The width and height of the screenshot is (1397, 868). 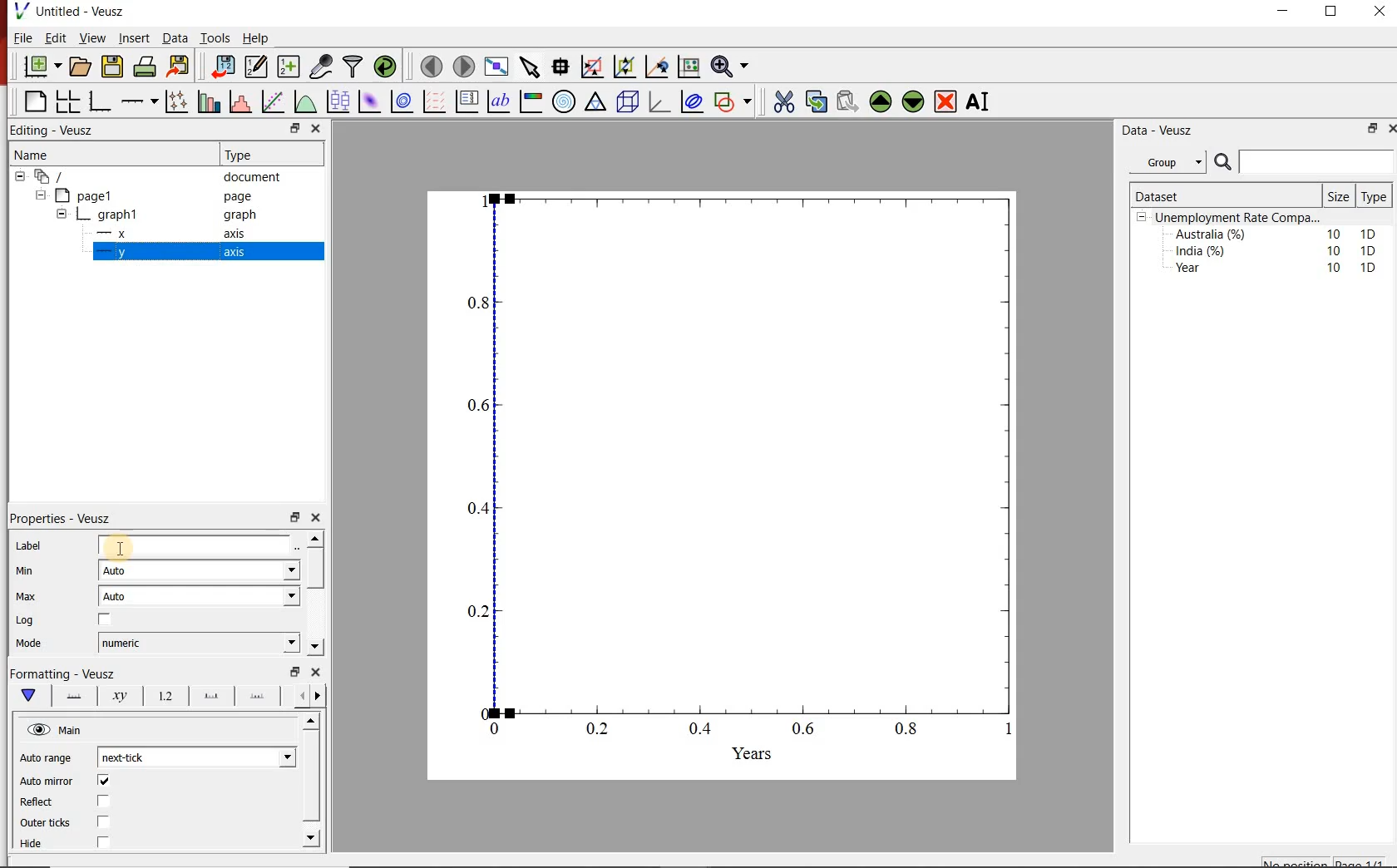 What do you see at coordinates (68, 10) in the screenshot?
I see `Untitled - Veusz` at bounding box center [68, 10].